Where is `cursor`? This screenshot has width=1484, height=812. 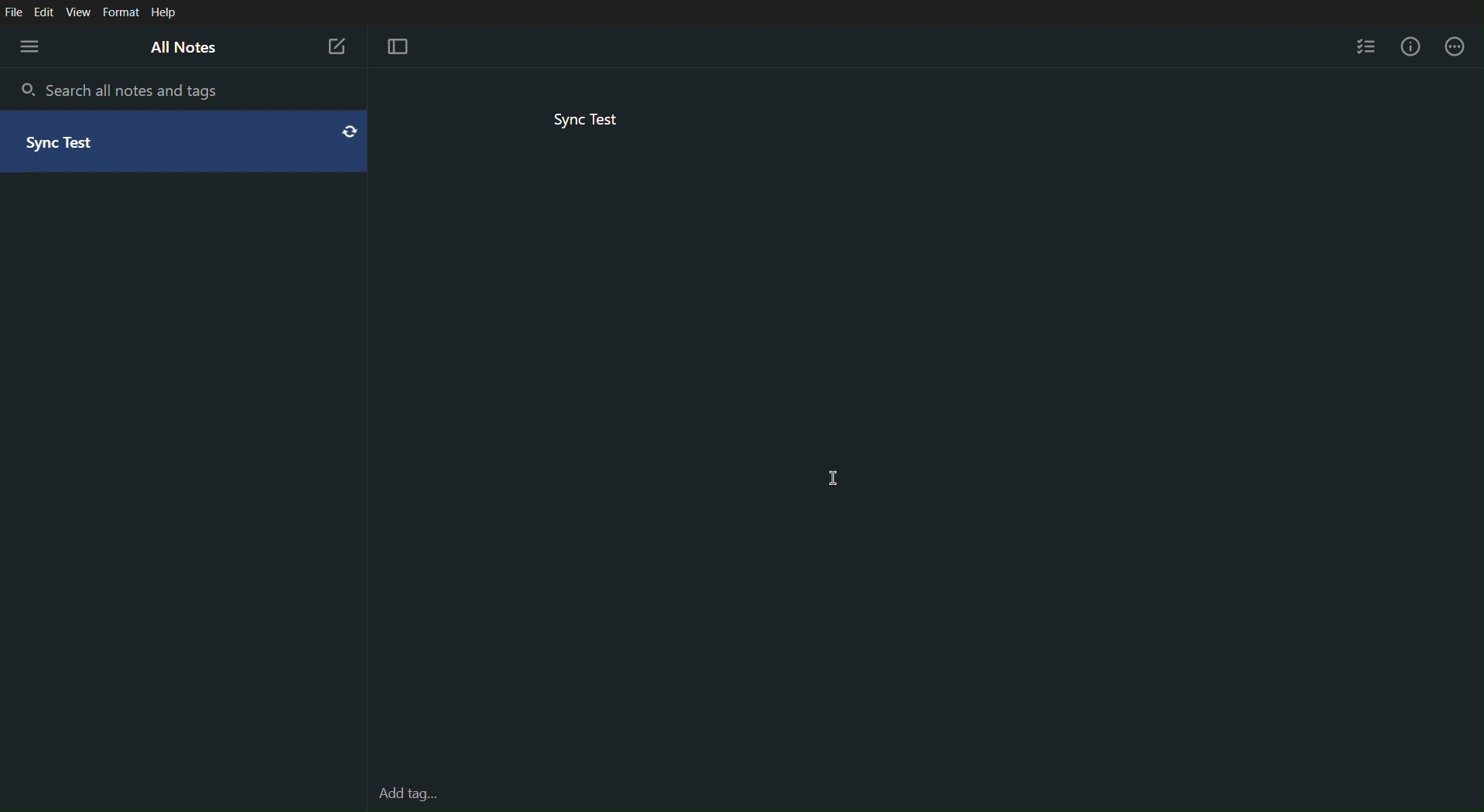
cursor is located at coordinates (835, 479).